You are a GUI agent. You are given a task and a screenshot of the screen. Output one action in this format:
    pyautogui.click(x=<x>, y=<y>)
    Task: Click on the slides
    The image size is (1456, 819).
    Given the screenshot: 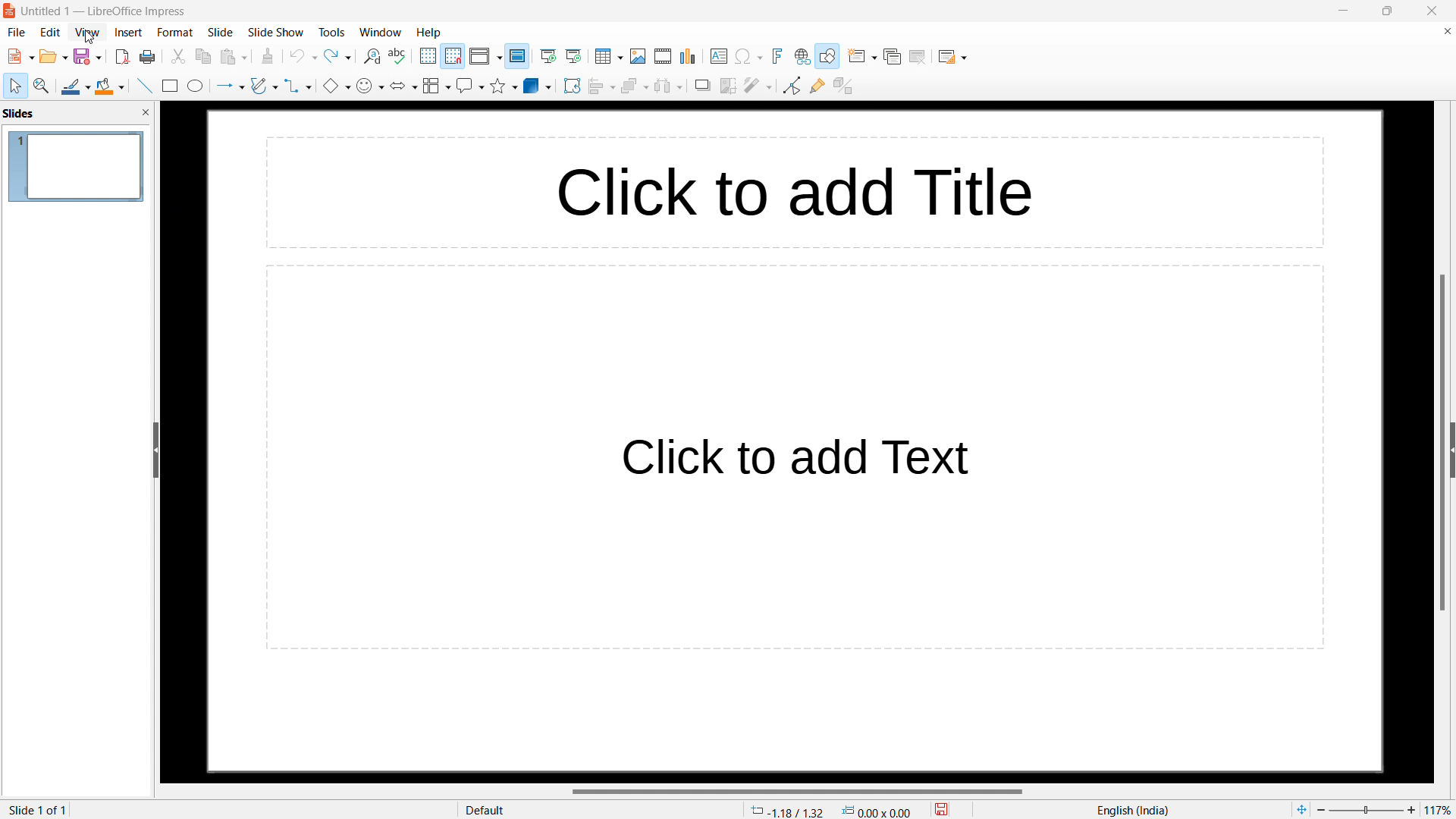 What is the action you would take?
    pyautogui.click(x=19, y=113)
    